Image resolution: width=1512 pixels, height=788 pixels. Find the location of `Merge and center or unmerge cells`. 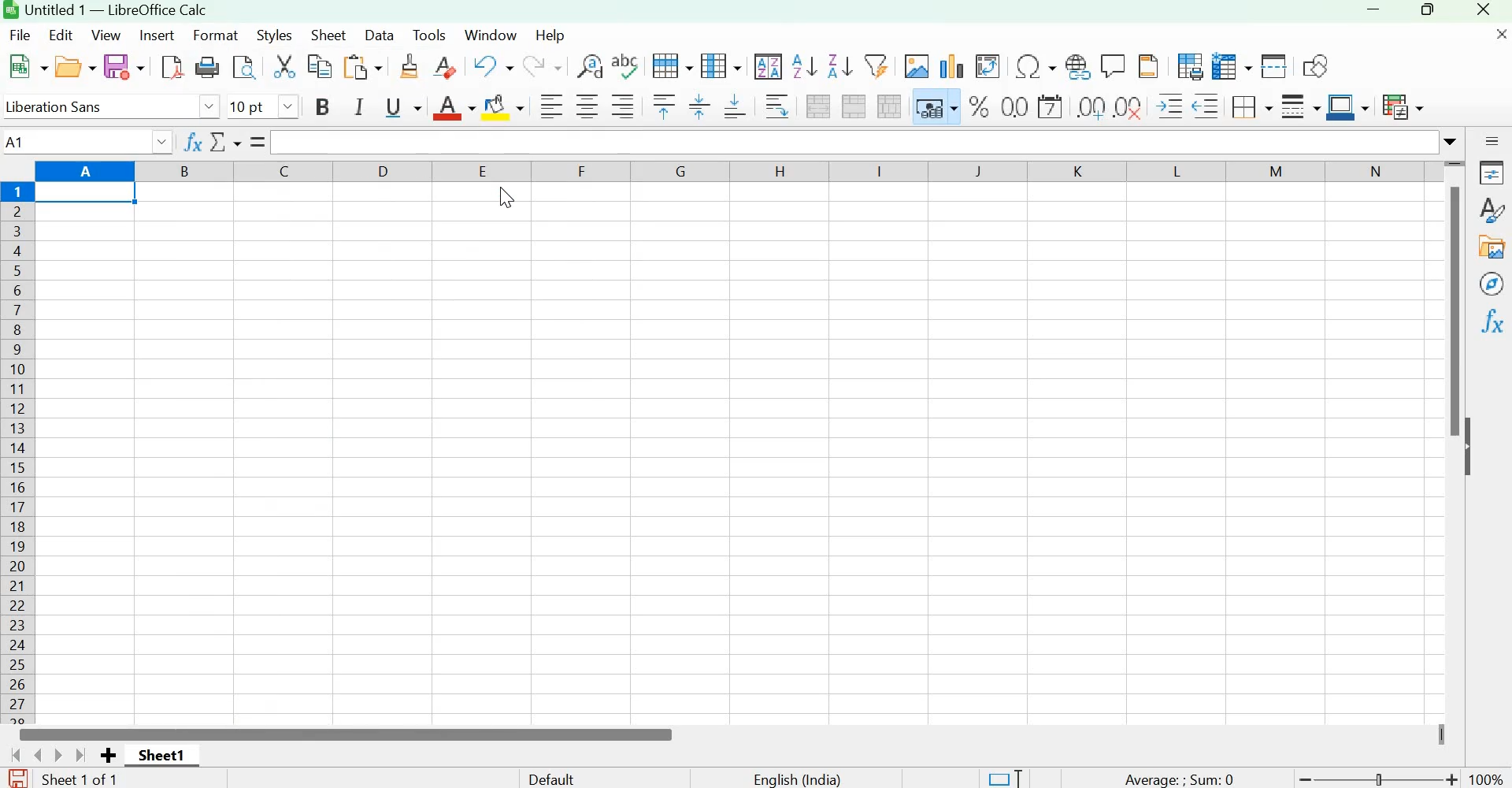

Merge and center or unmerge cells is located at coordinates (820, 106).